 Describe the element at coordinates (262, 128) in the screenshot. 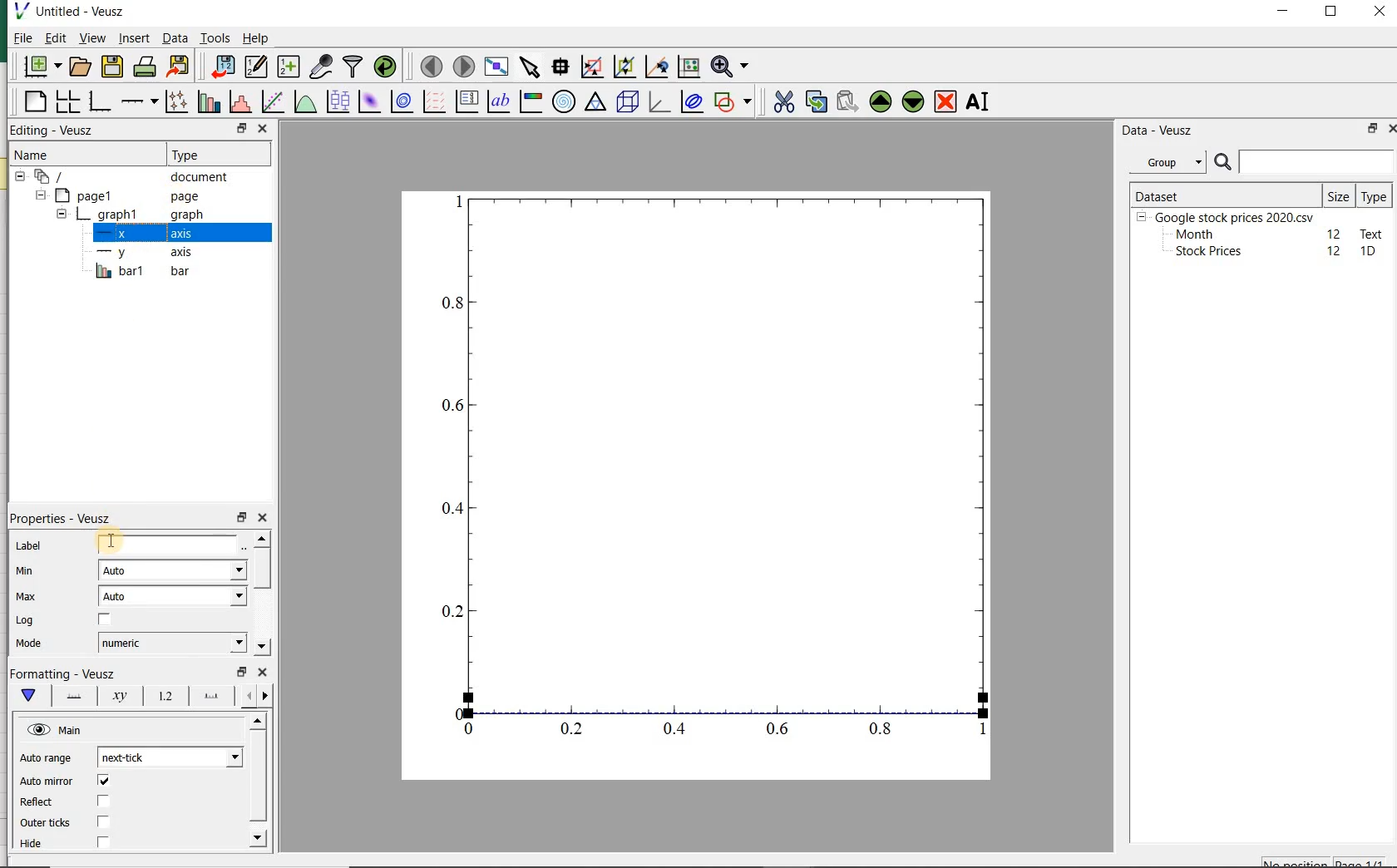

I see `close` at that location.